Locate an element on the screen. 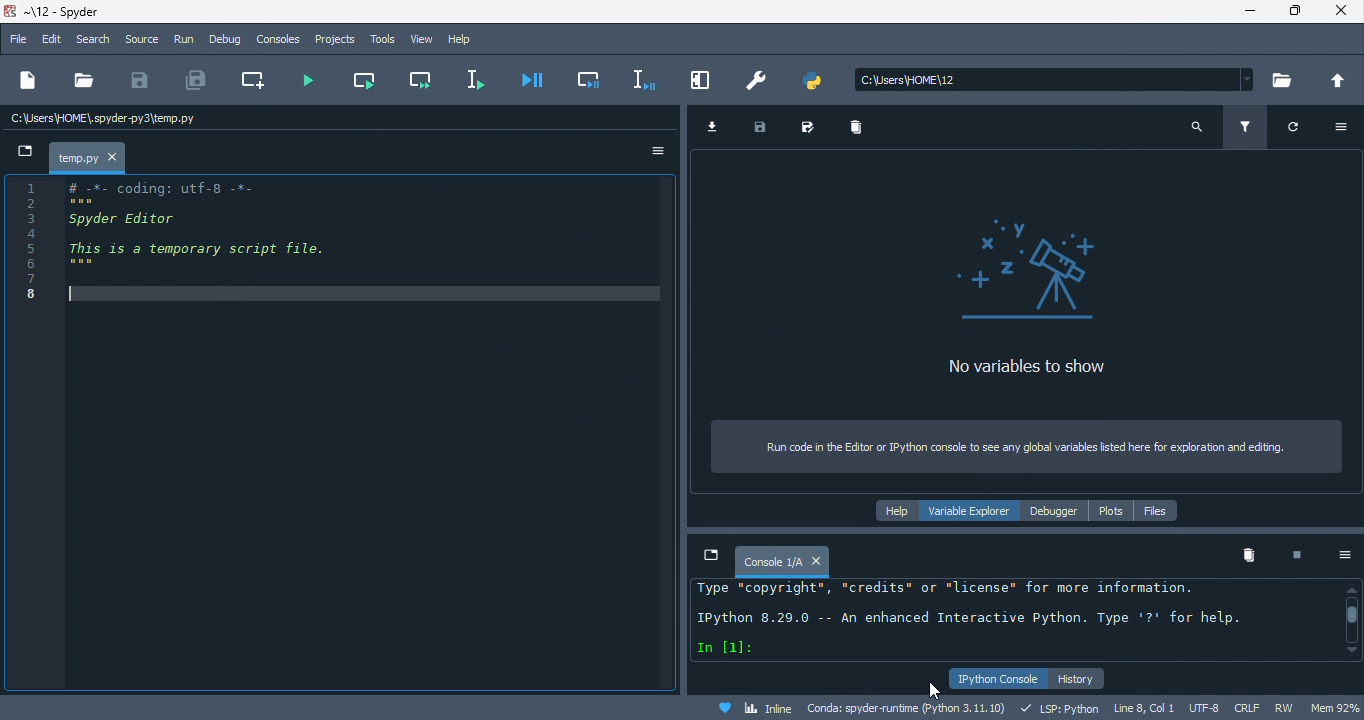 This screenshot has width=1364, height=720. debugger is located at coordinates (1060, 511).